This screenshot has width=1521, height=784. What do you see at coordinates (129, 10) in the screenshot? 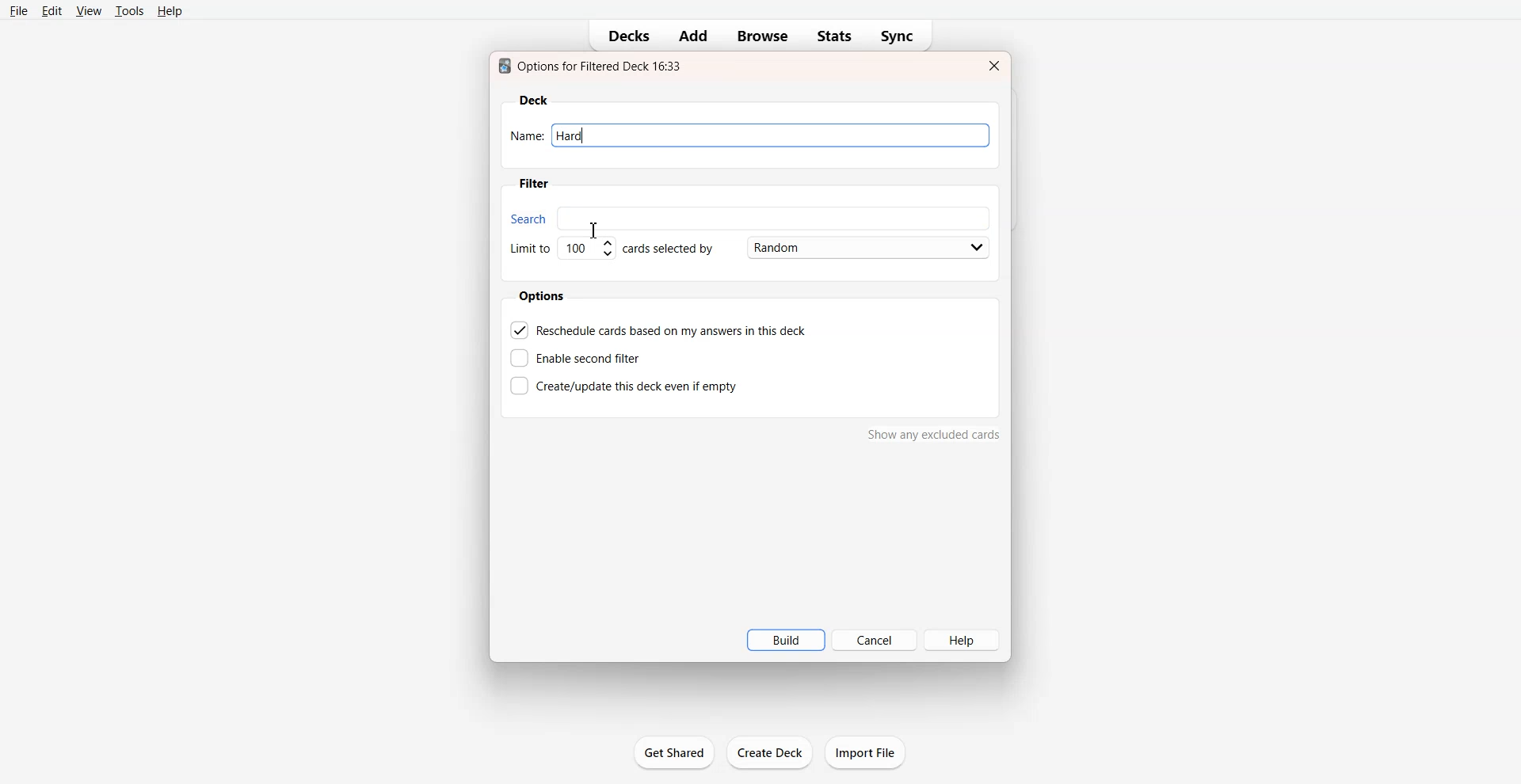
I see `Tools` at bounding box center [129, 10].